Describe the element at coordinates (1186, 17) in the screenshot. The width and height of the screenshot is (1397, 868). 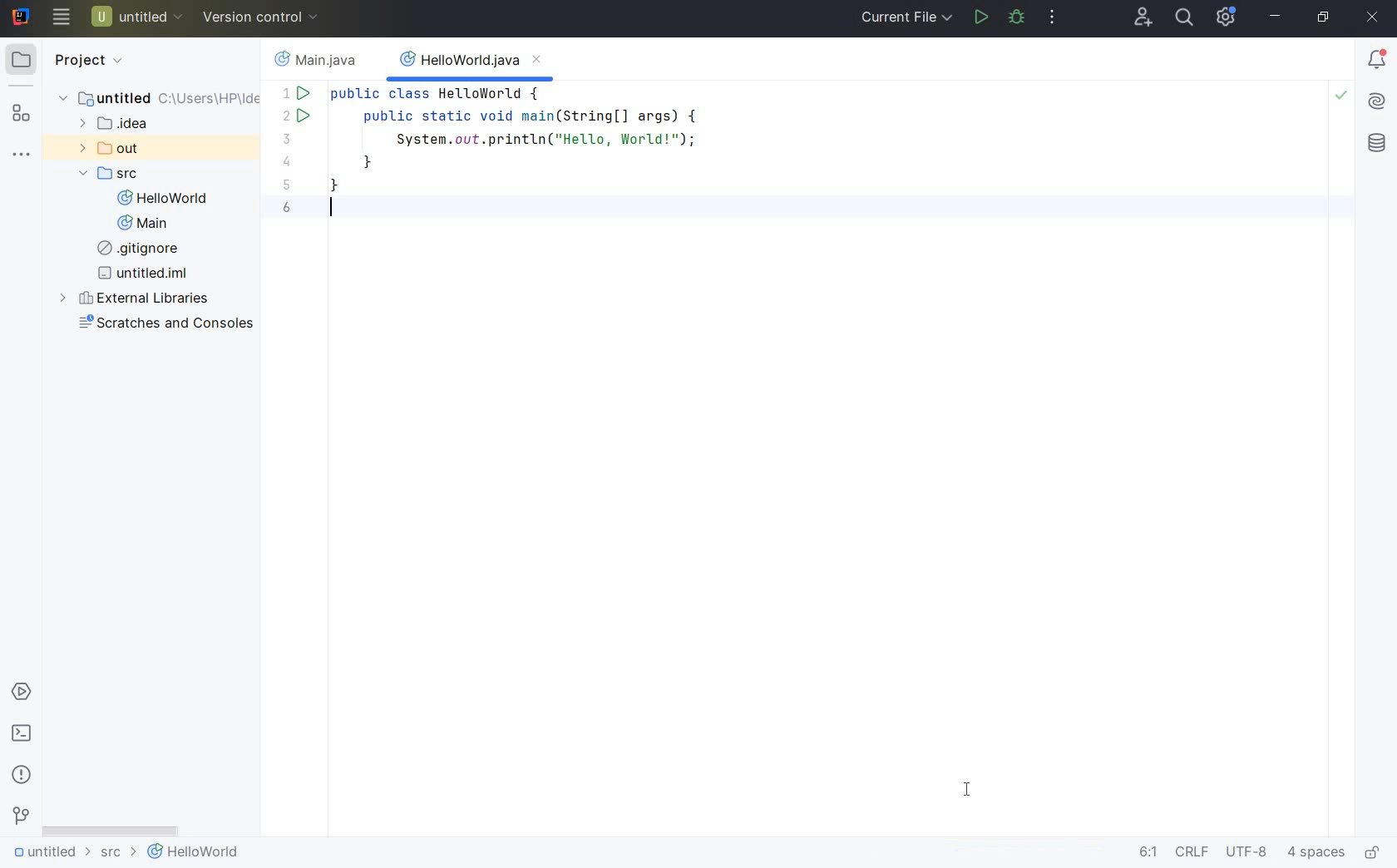
I see `SEARCH` at that location.